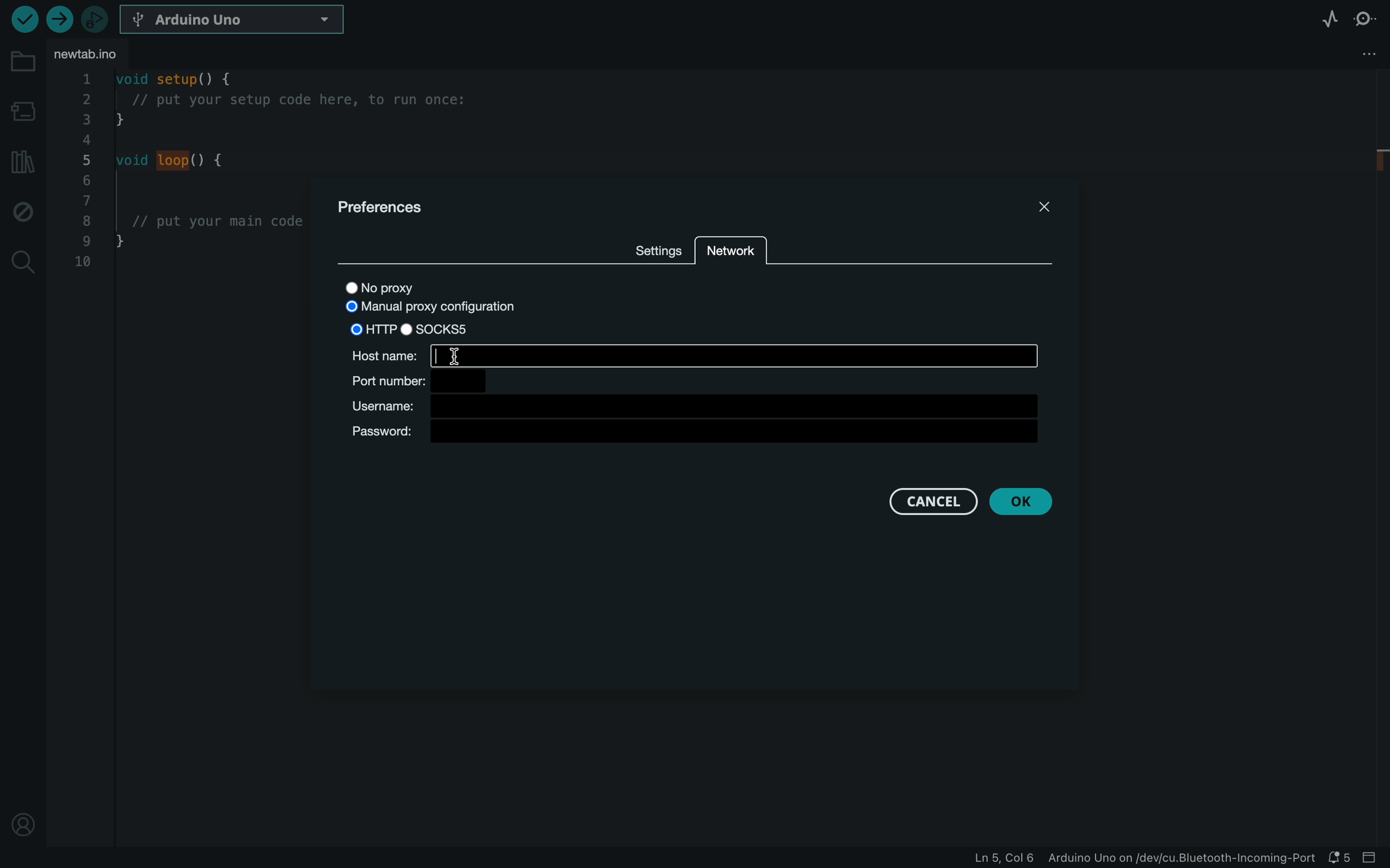 The height and width of the screenshot is (868, 1390). Describe the element at coordinates (98, 55) in the screenshot. I see `file tab` at that location.